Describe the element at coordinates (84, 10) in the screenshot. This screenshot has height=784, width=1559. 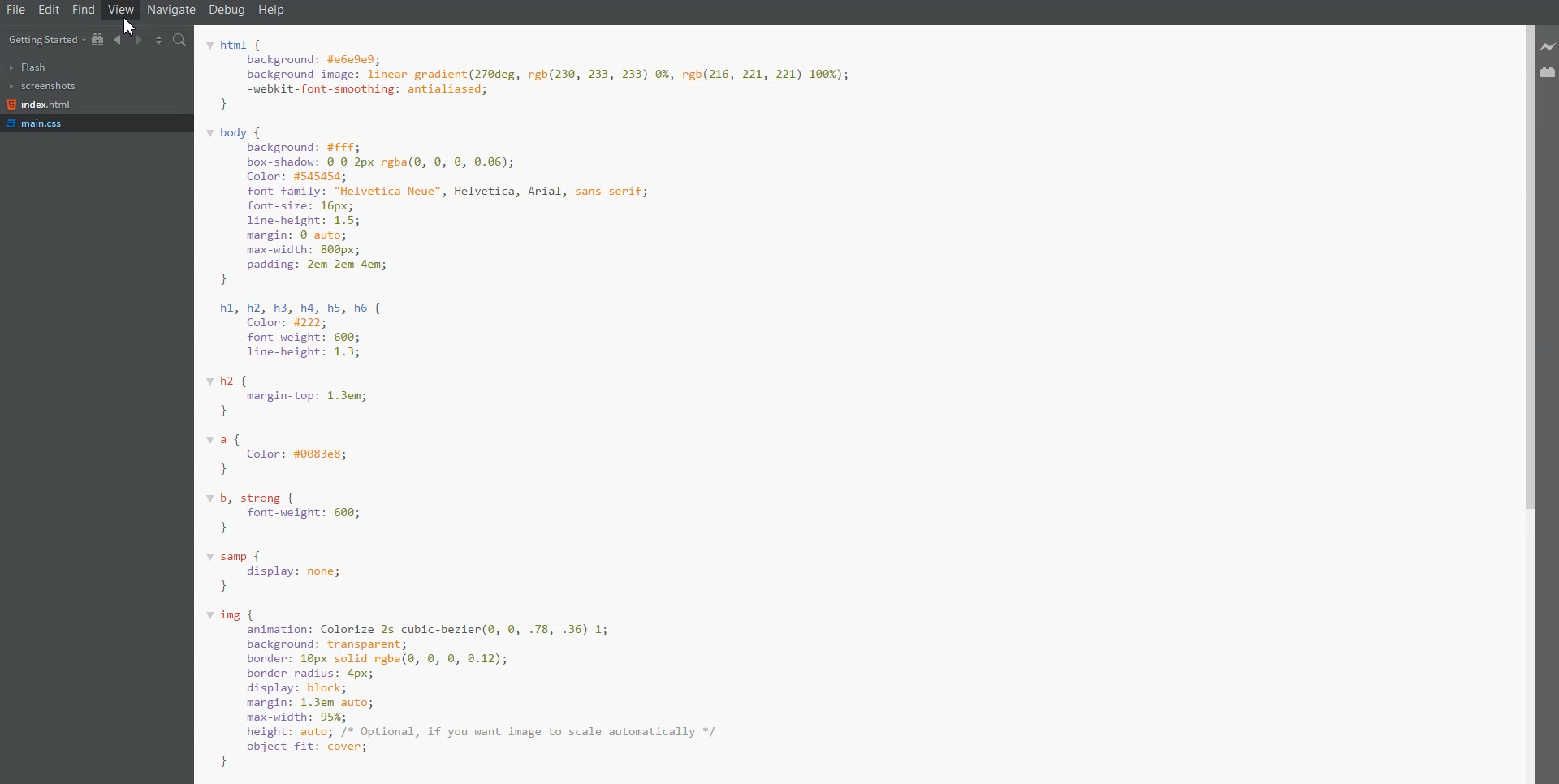
I see `Find` at that location.